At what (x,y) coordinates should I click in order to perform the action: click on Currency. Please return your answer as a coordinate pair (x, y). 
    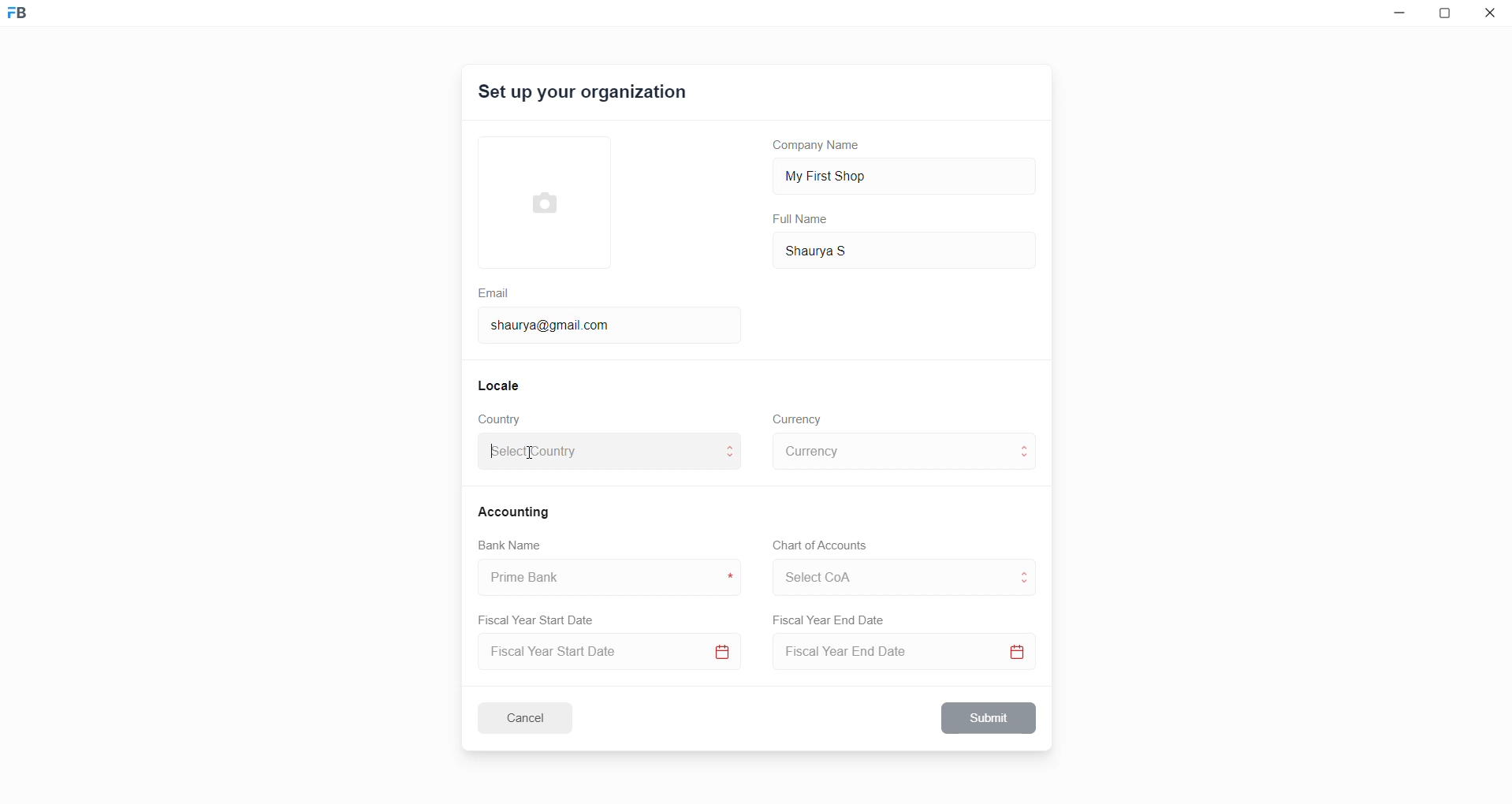
    Looking at the image, I should click on (799, 418).